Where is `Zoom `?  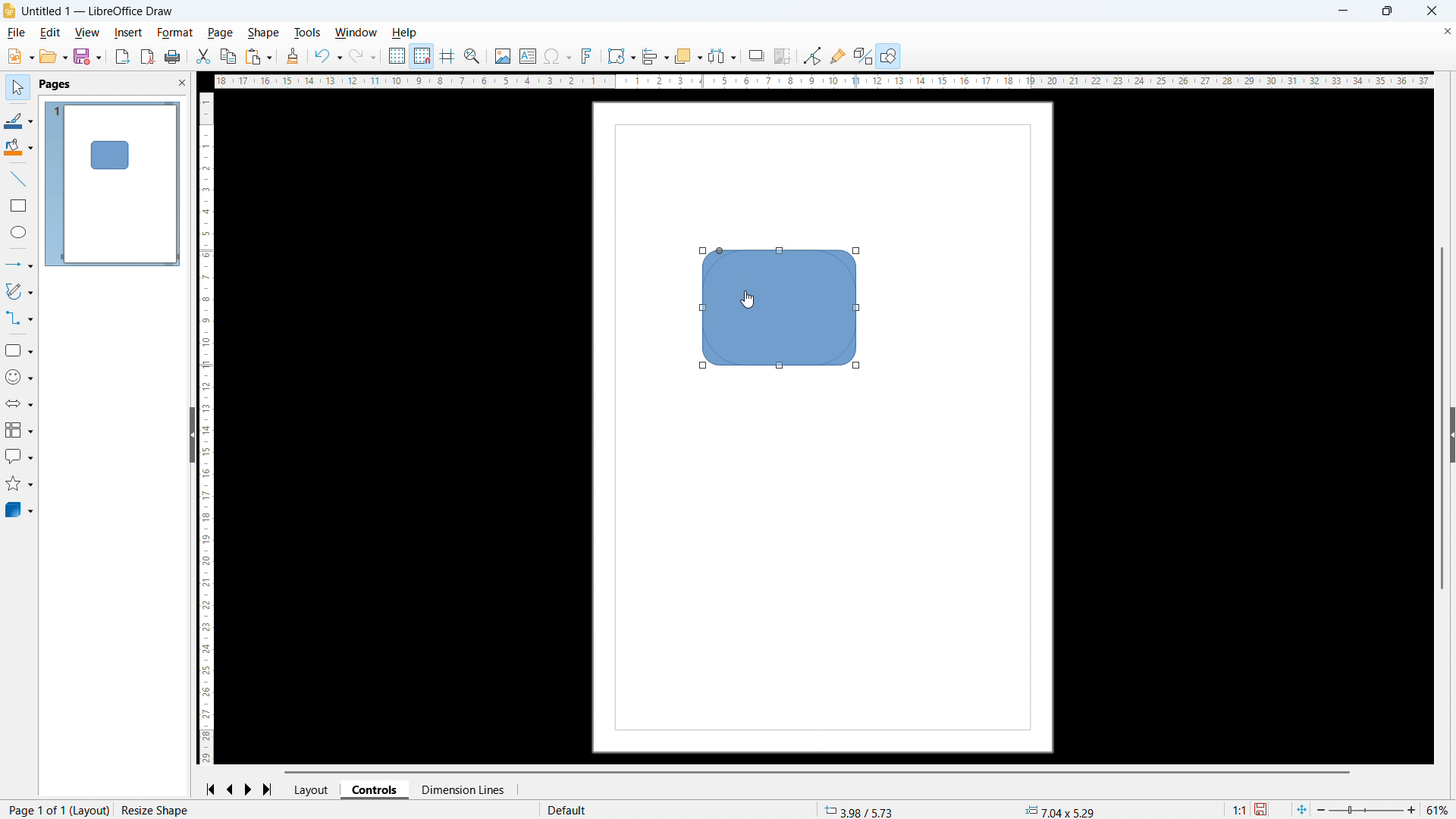
Zoom  is located at coordinates (473, 56).